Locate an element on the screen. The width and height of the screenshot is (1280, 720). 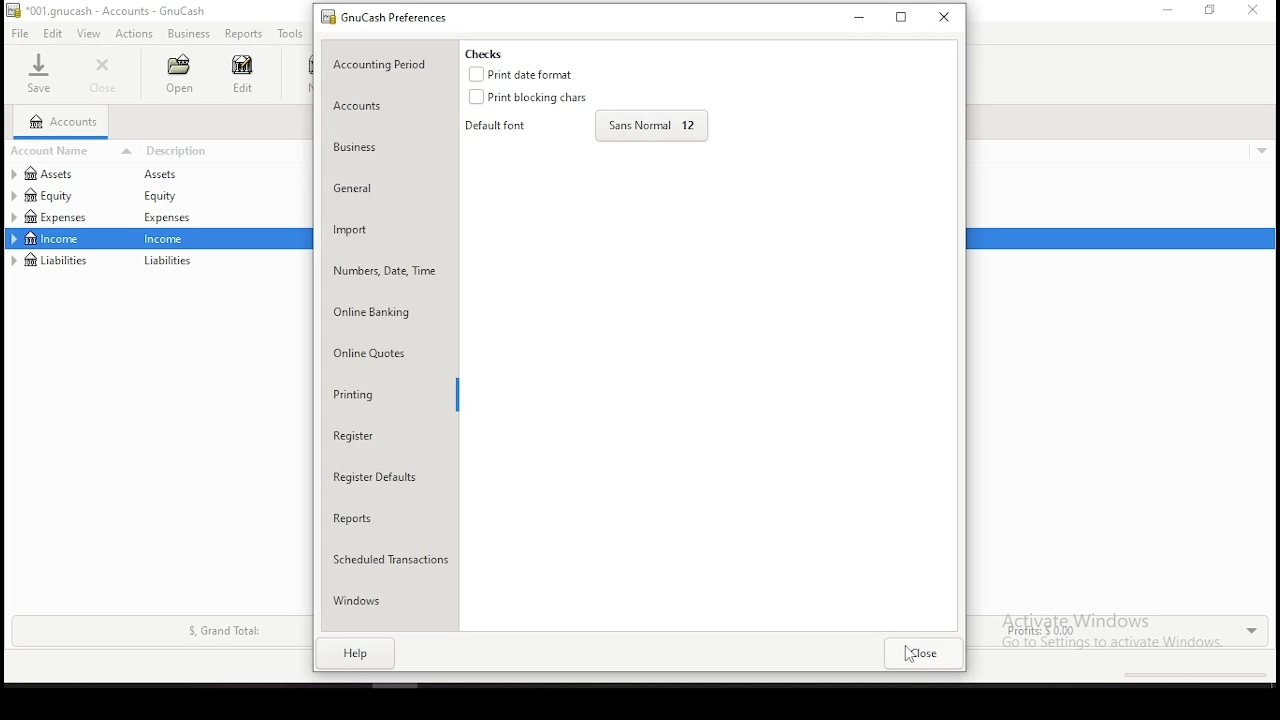
reports is located at coordinates (243, 34).